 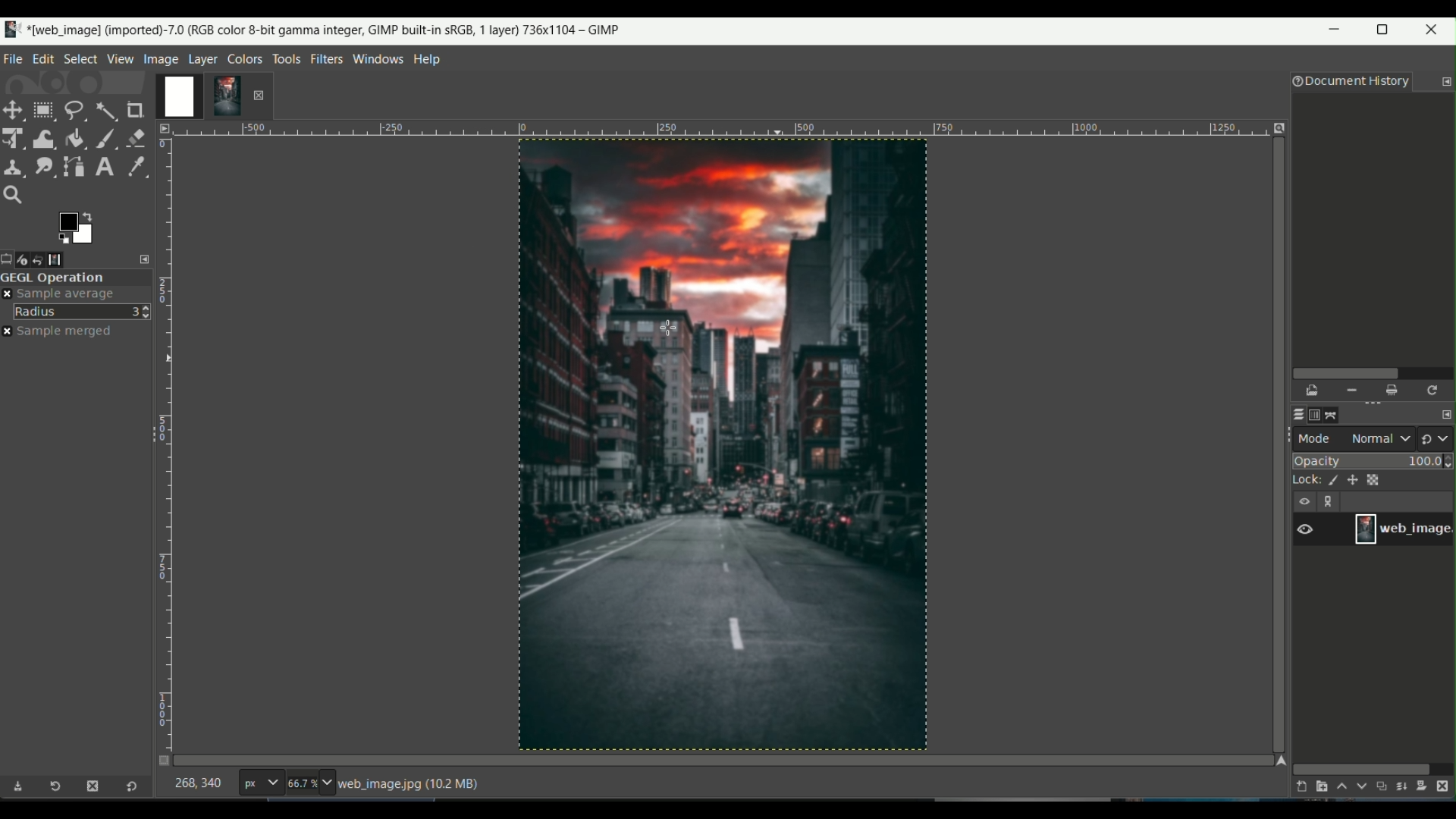 What do you see at coordinates (409, 784) in the screenshot?
I see `description` at bounding box center [409, 784].